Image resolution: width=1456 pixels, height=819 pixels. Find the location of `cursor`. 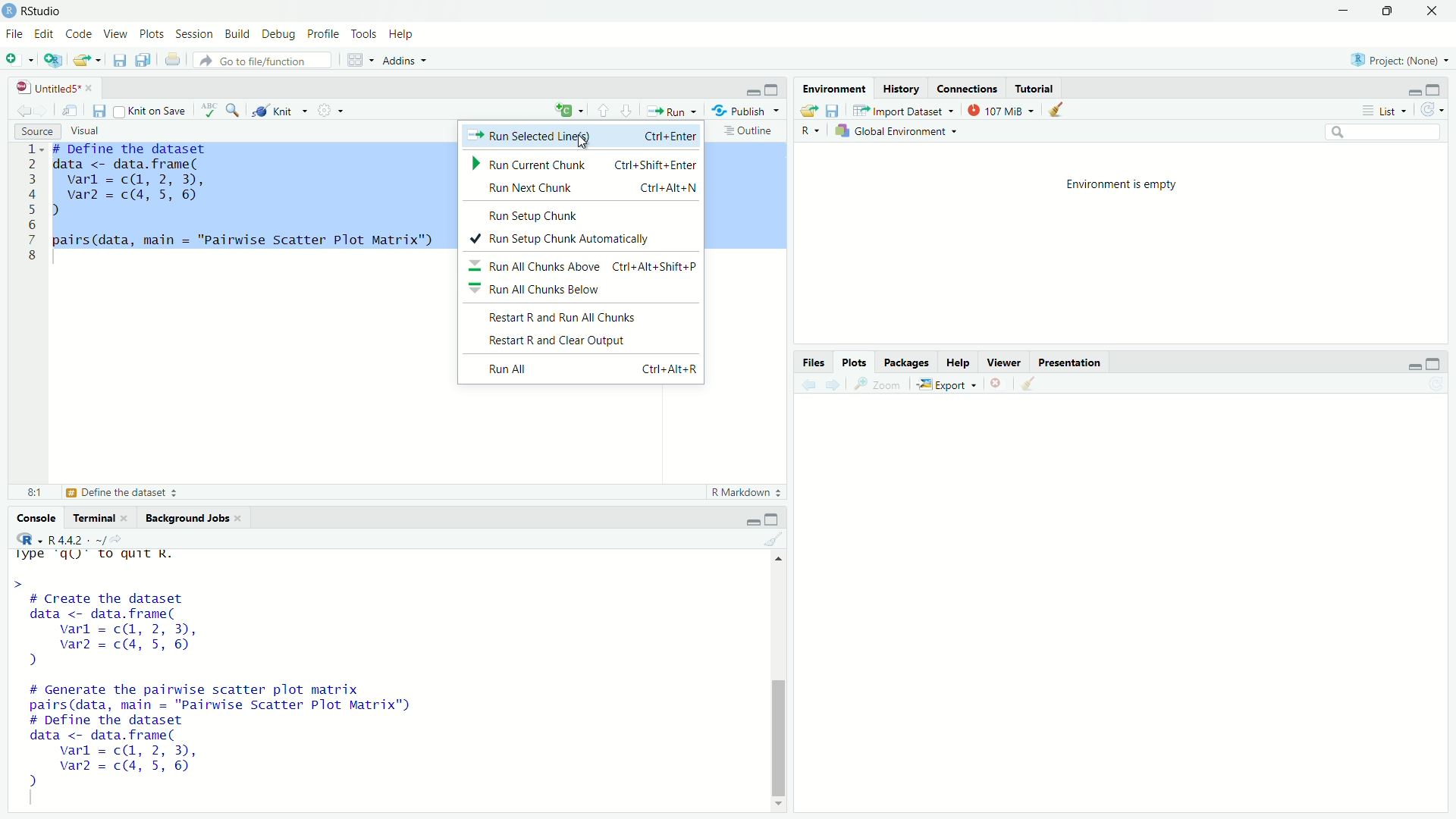

cursor is located at coordinates (585, 140).